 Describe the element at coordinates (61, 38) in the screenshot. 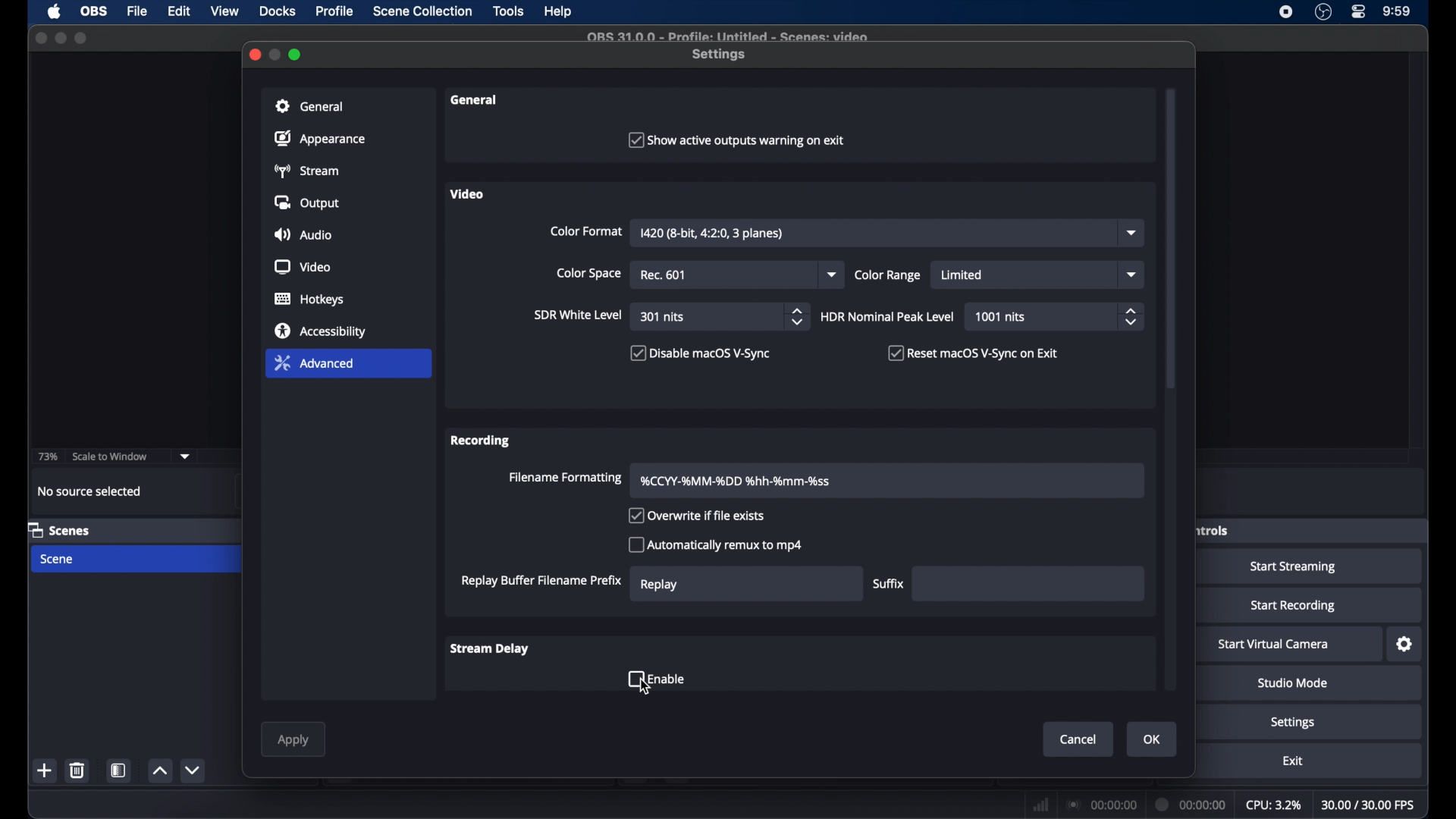

I see `minimize` at that location.